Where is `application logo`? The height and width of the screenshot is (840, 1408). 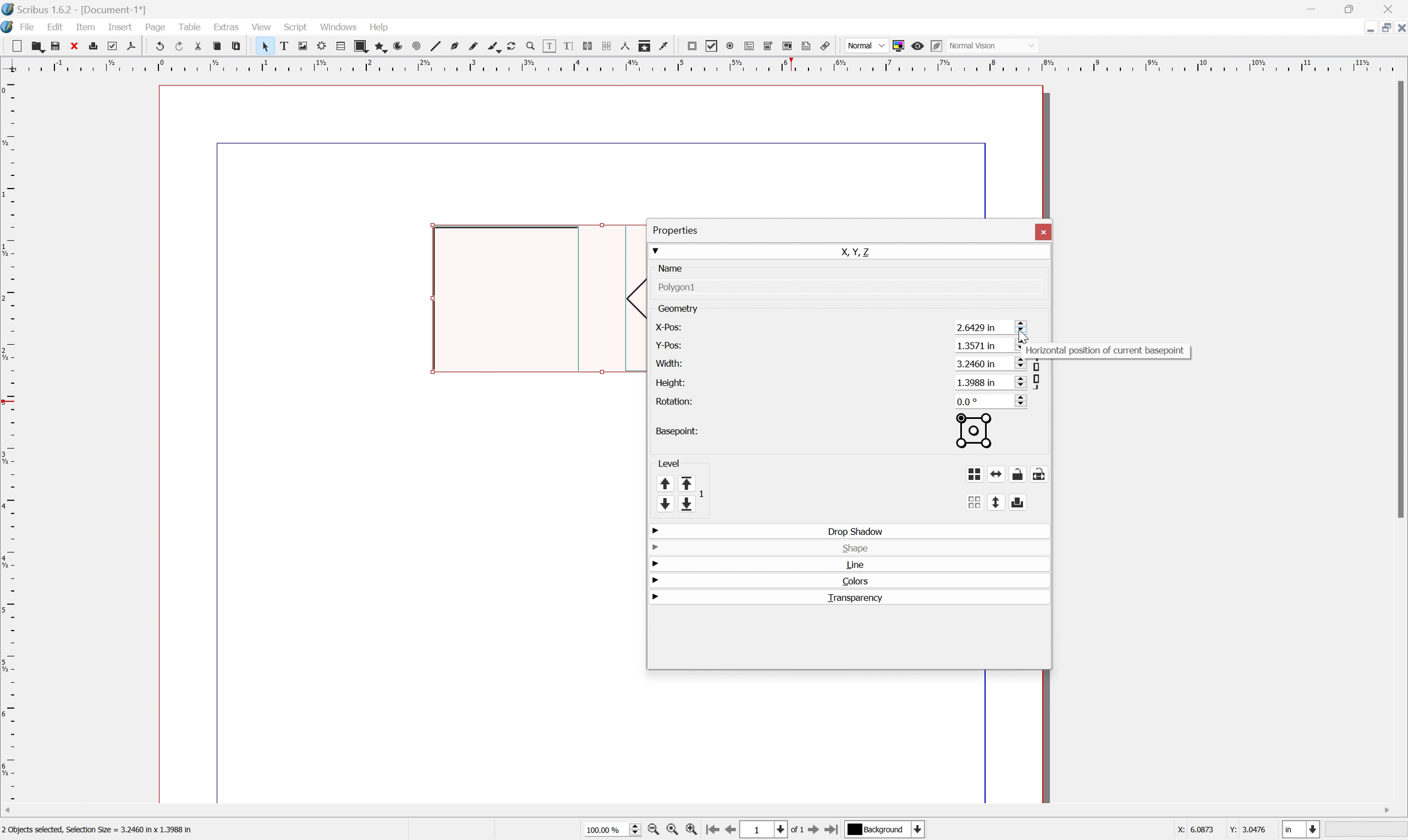 application logo is located at coordinates (9, 26).